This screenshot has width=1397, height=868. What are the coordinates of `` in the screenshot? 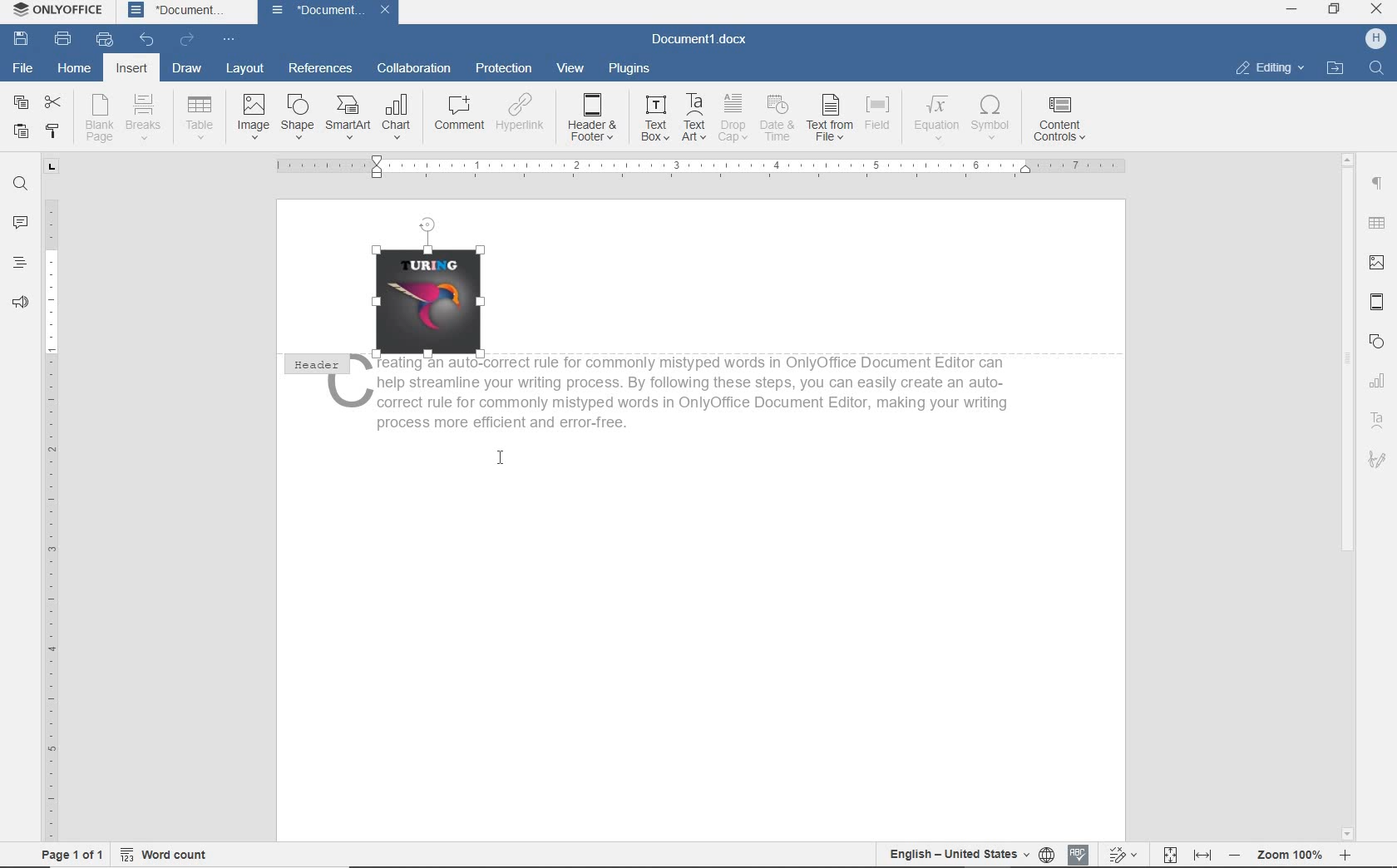 It's located at (1059, 117).